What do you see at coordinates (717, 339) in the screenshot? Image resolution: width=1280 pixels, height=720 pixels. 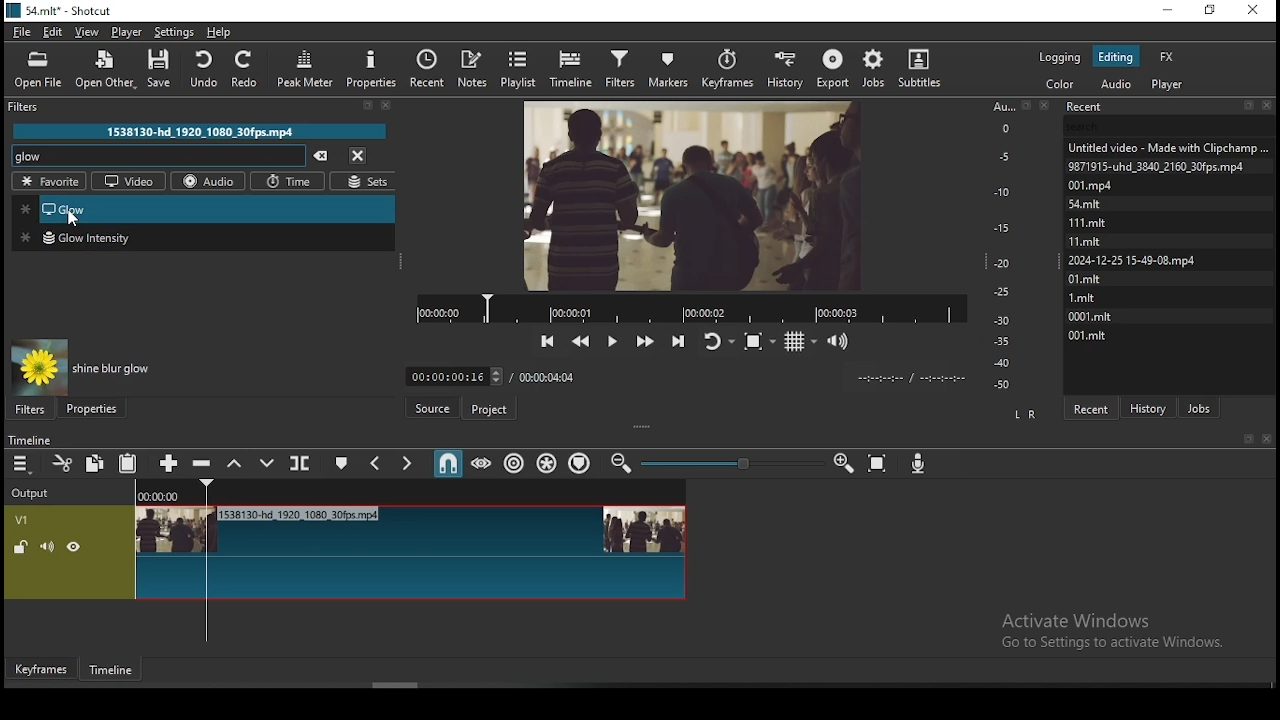 I see `toggle player looping` at bounding box center [717, 339].